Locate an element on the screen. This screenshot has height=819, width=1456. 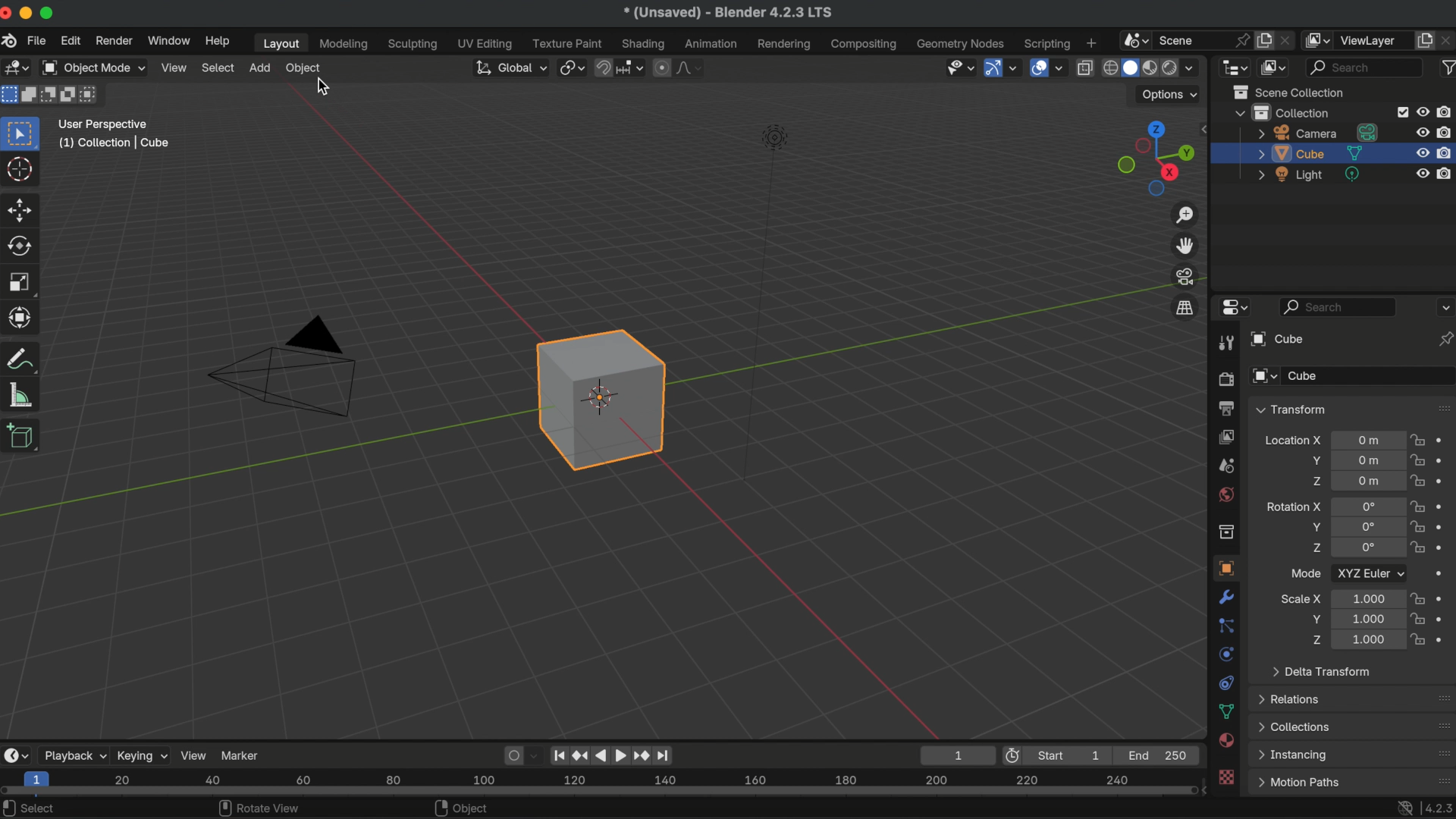
lock rotation is located at coordinates (1418, 528).